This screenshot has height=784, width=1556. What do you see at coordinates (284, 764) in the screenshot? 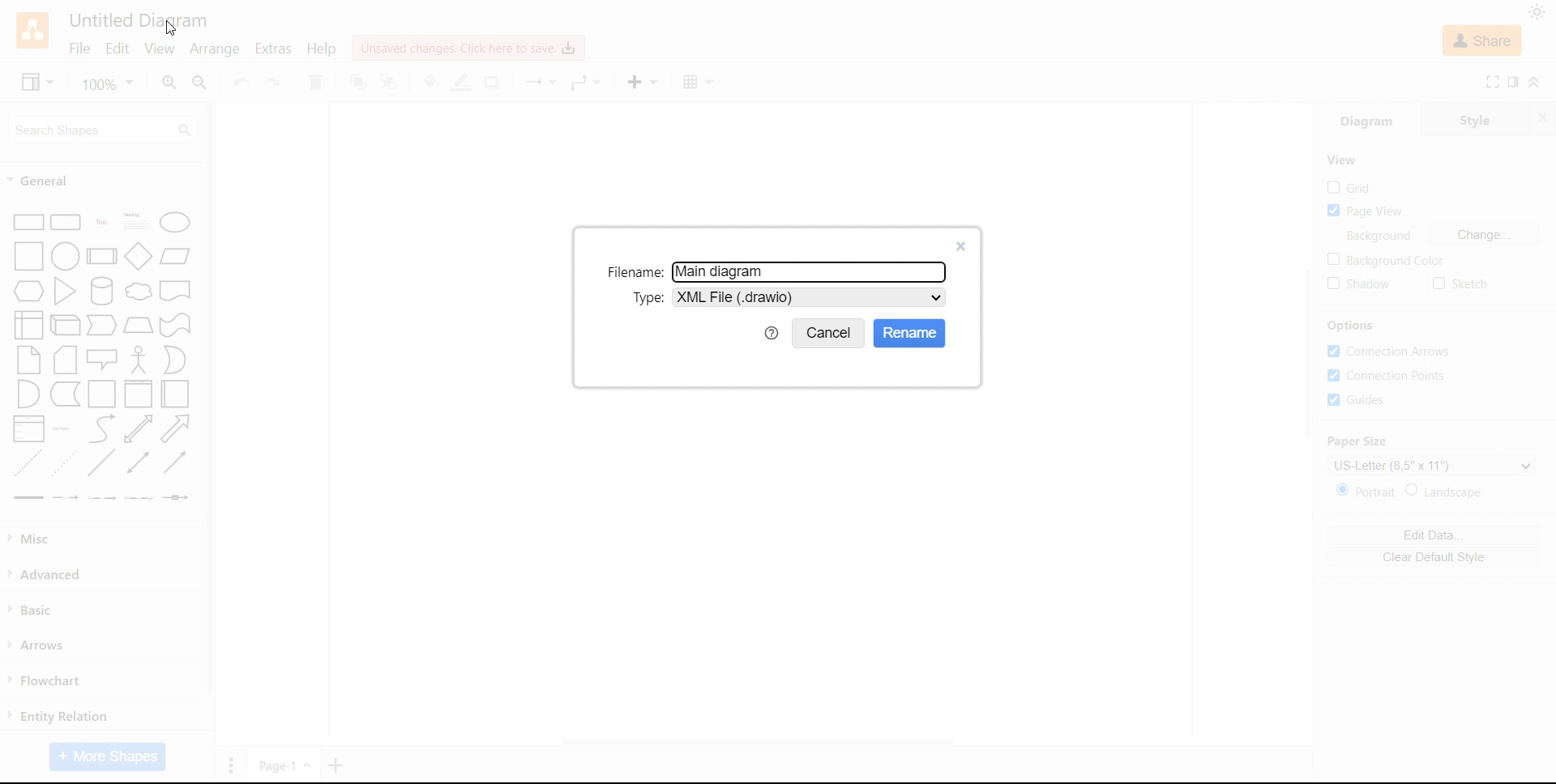
I see `Page one ` at bounding box center [284, 764].